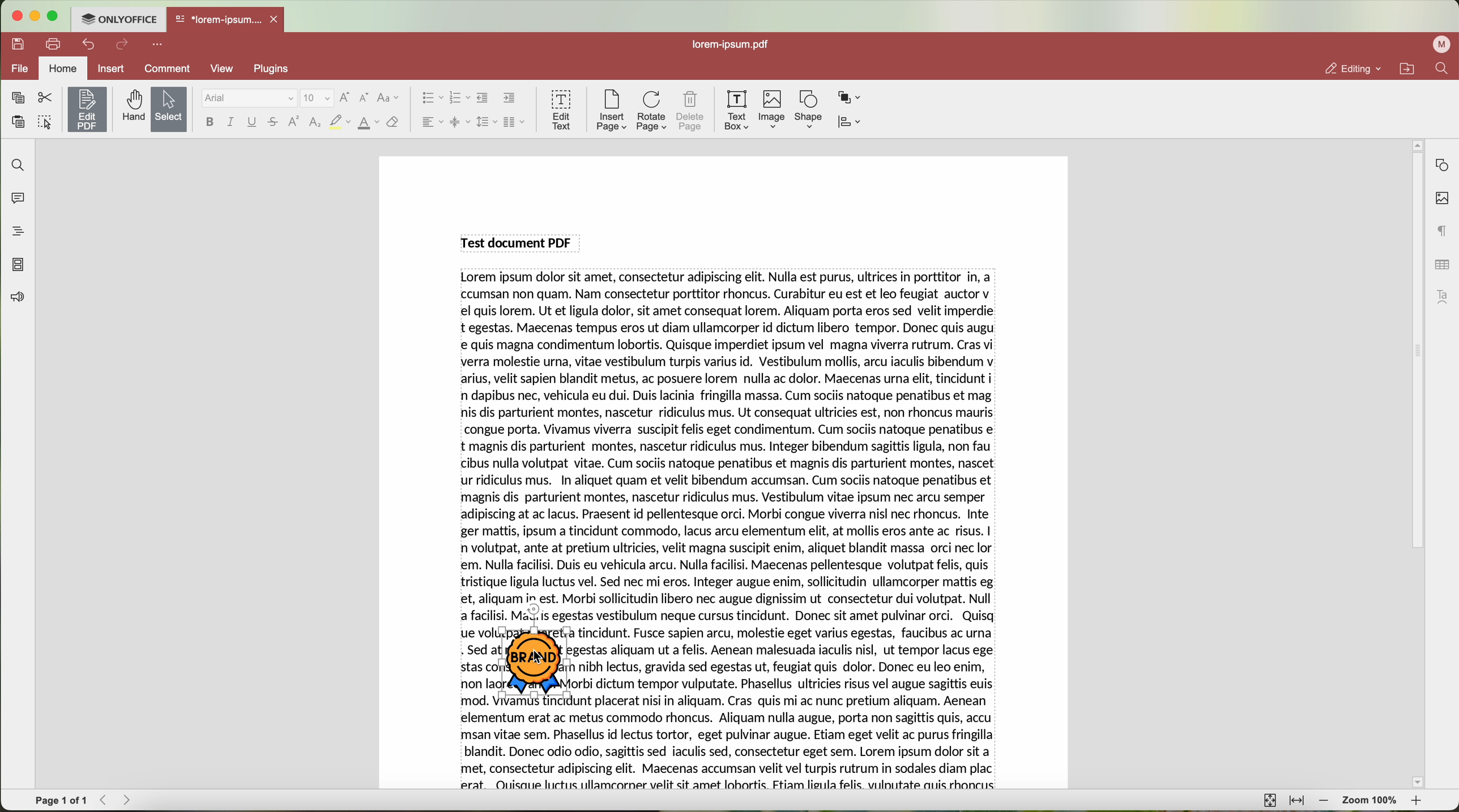  What do you see at coordinates (735, 44) in the screenshot?
I see `lorem-ipsum.pdf` at bounding box center [735, 44].